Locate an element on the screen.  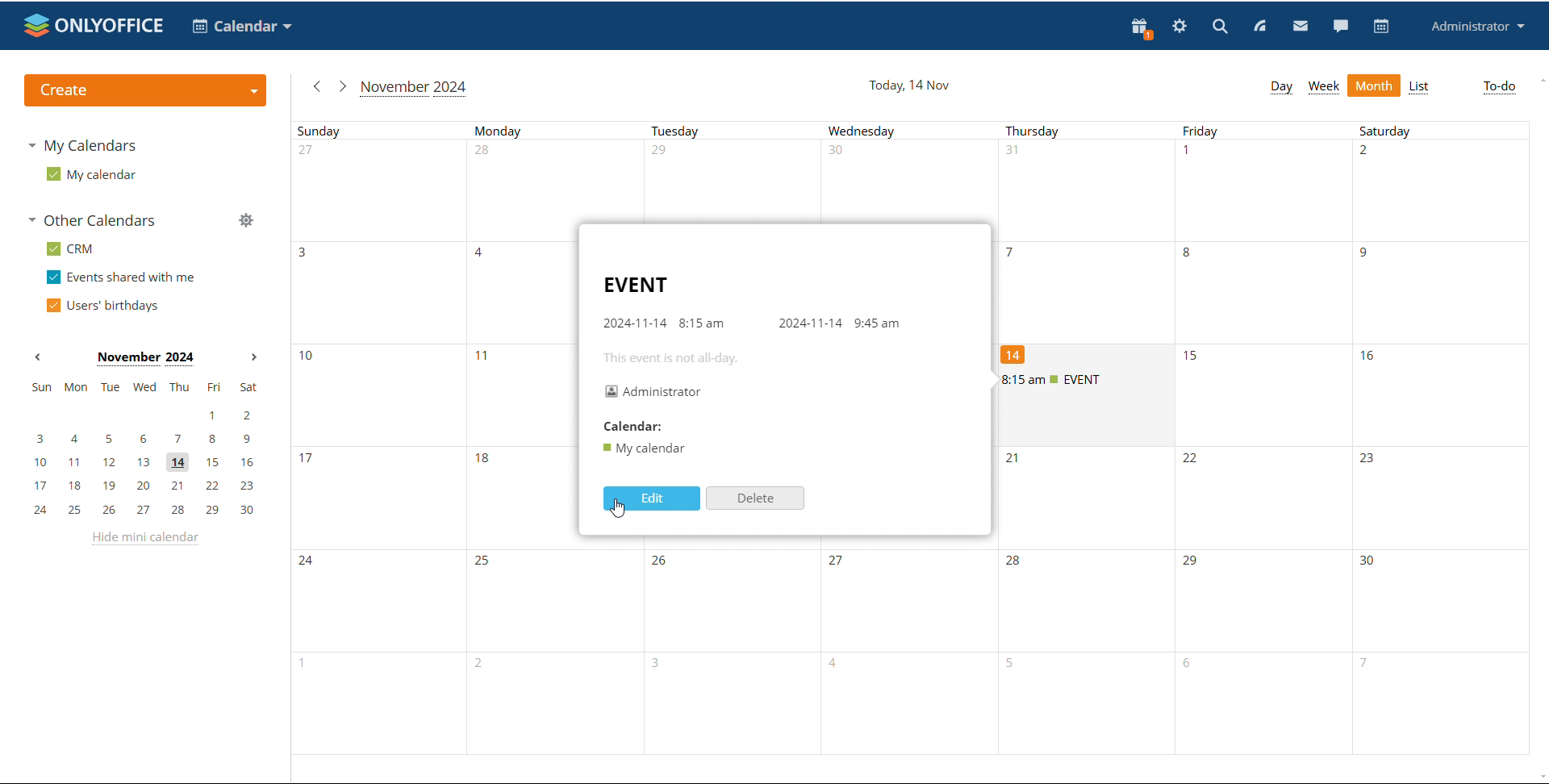
organizer is located at coordinates (655, 391).